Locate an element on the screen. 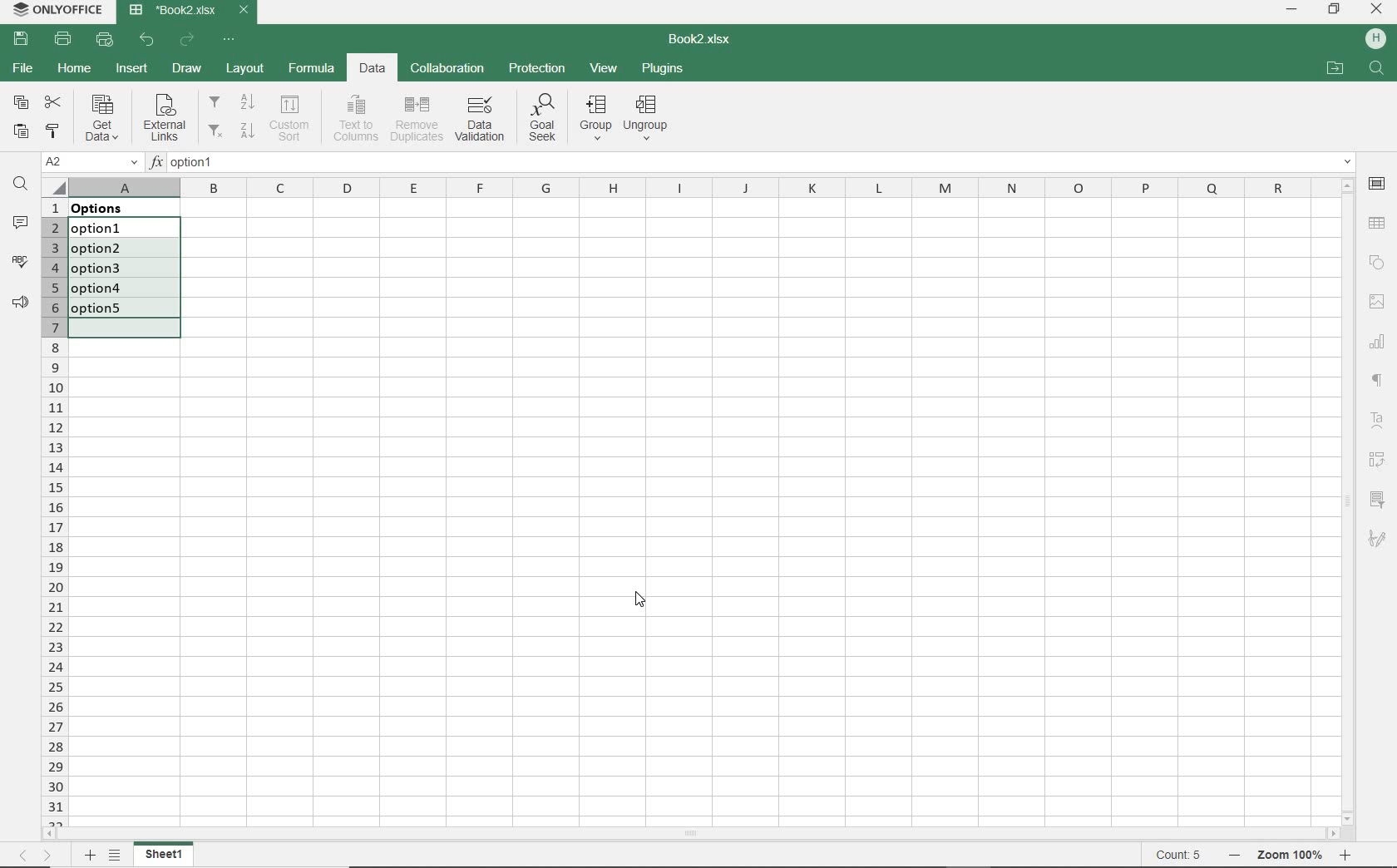 This screenshot has width=1397, height=868. REDO is located at coordinates (187, 40).